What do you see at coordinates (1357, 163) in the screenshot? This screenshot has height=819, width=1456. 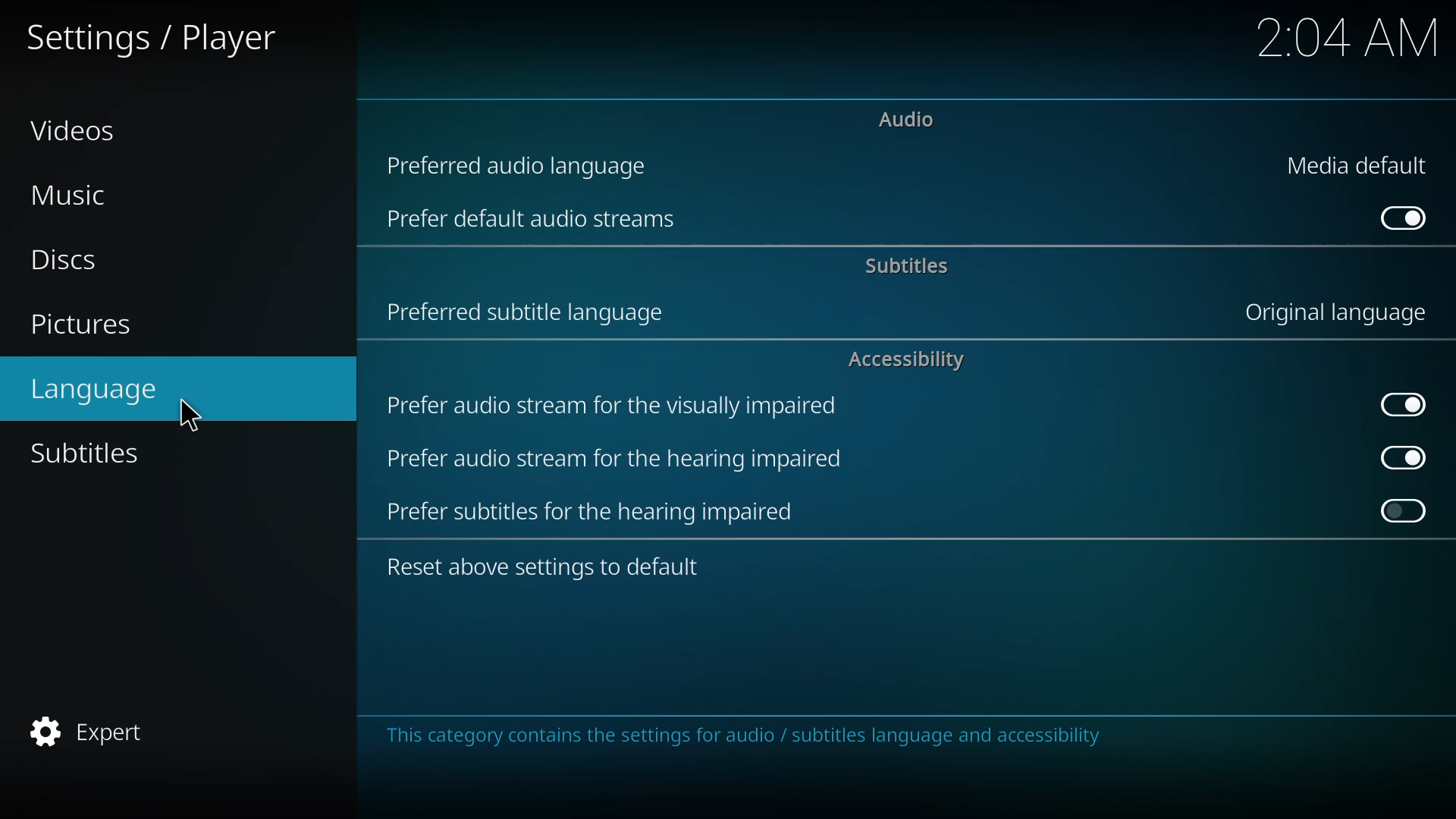 I see `media default` at bounding box center [1357, 163].